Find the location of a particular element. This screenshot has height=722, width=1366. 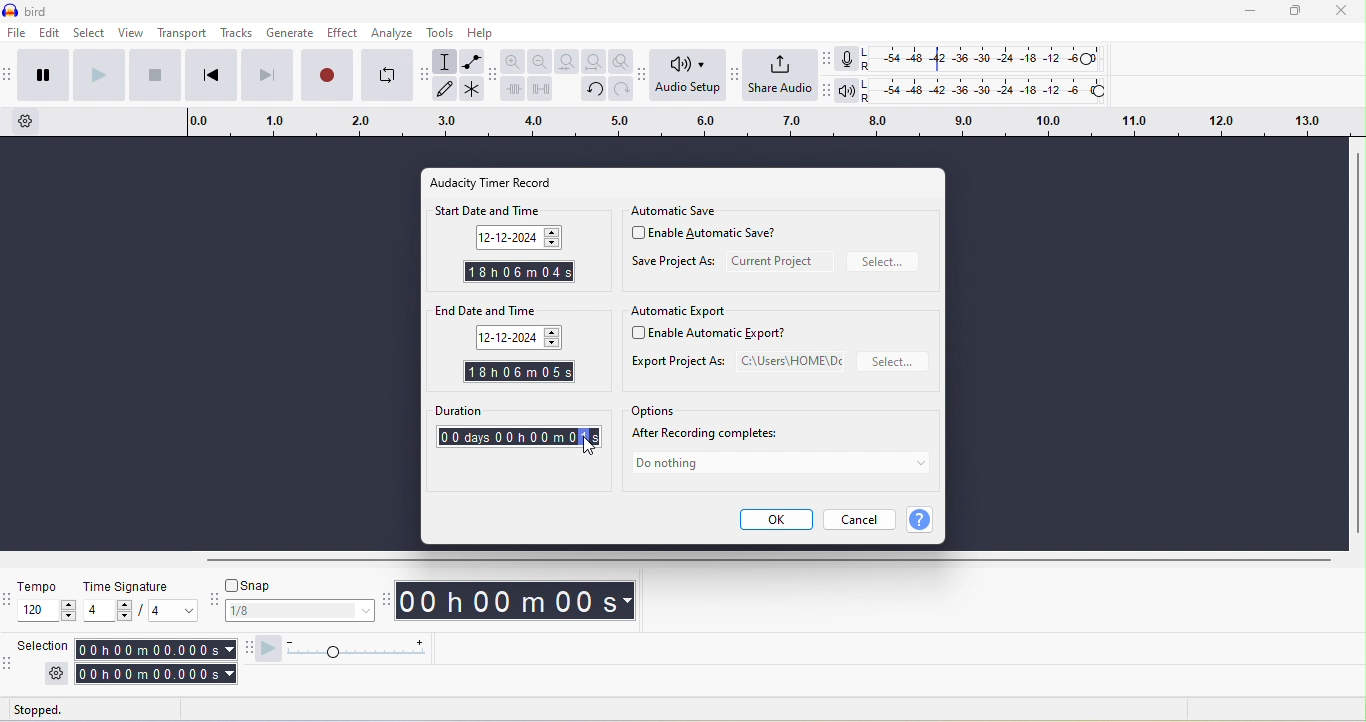

minimize is located at coordinates (1251, 14).